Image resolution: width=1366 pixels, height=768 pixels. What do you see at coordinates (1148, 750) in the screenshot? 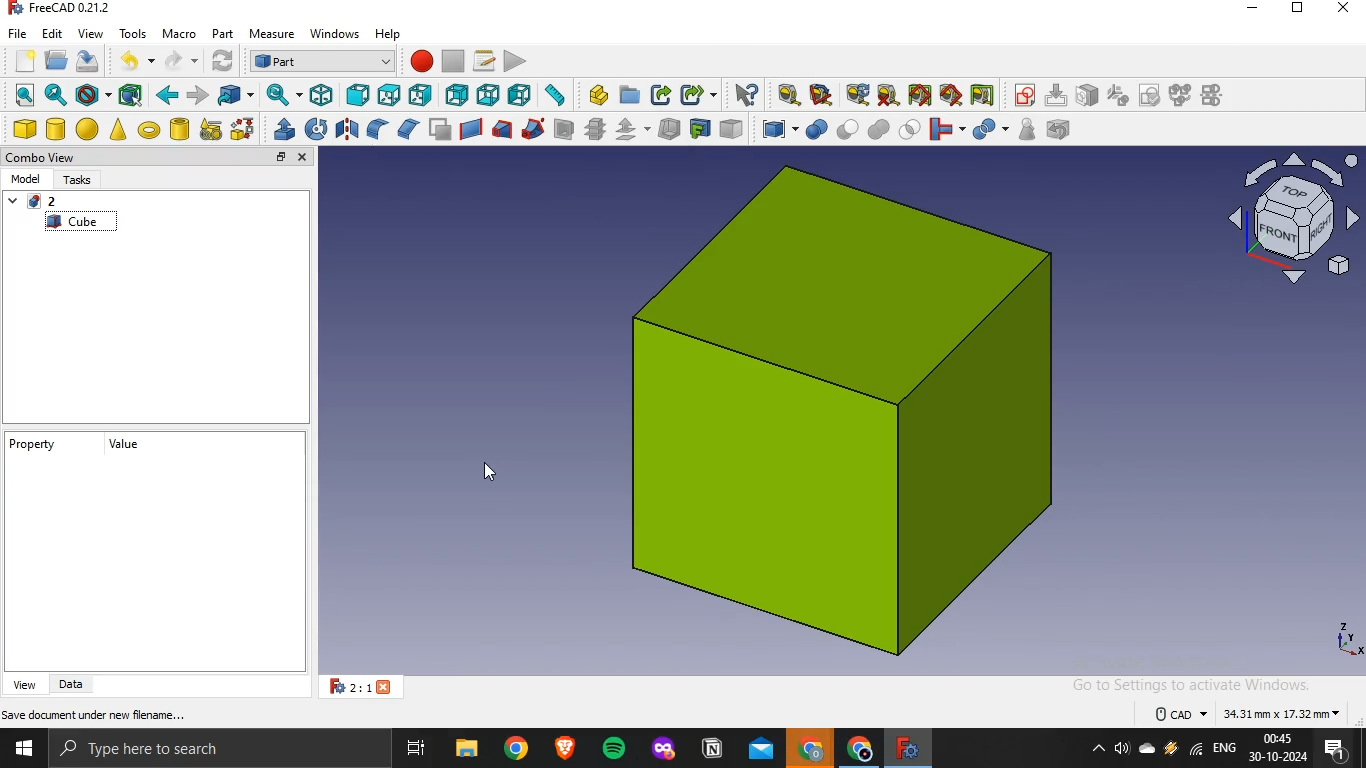
I see `onedrive` at bounding box center [1148, 750].